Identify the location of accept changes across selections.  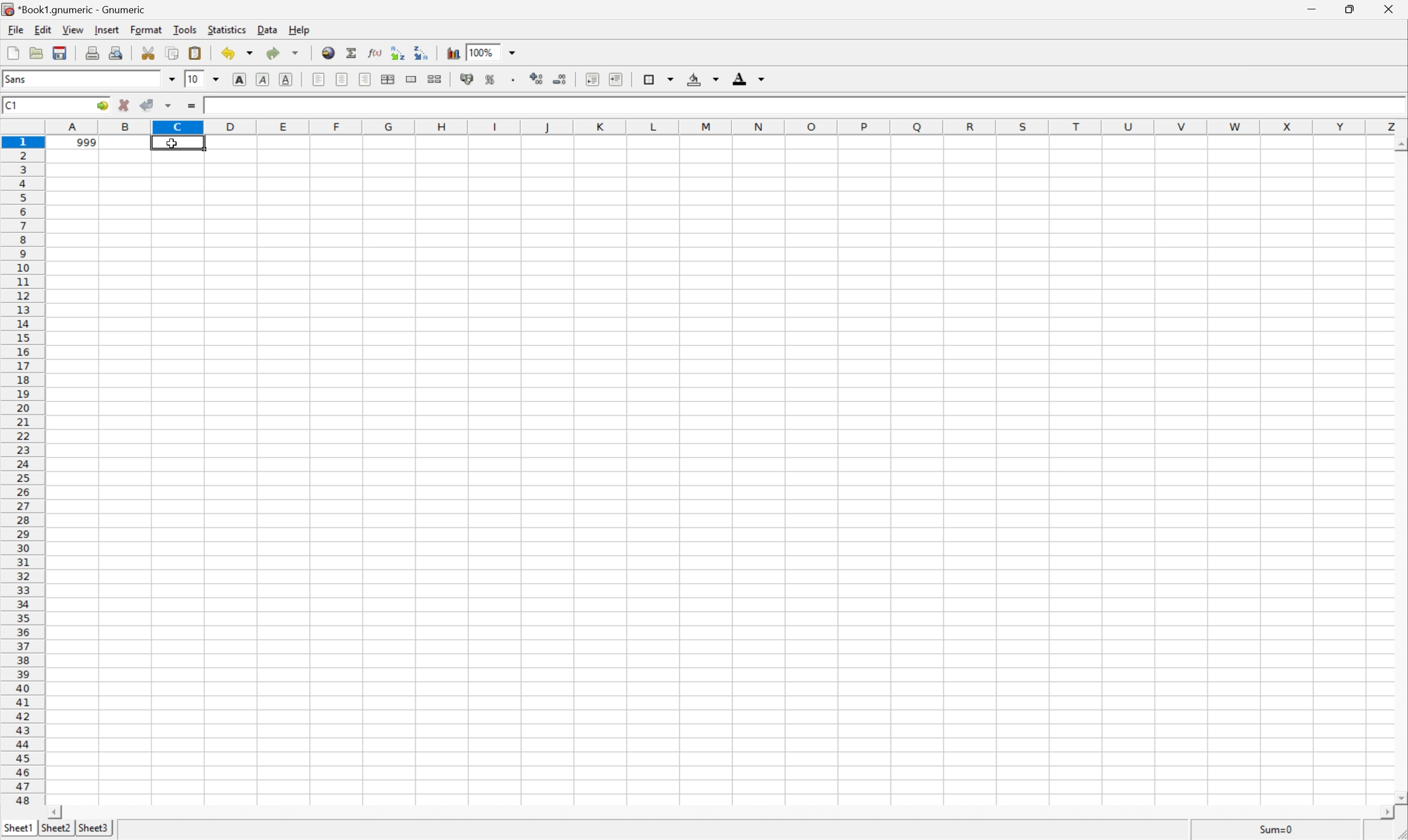
(157, 105).